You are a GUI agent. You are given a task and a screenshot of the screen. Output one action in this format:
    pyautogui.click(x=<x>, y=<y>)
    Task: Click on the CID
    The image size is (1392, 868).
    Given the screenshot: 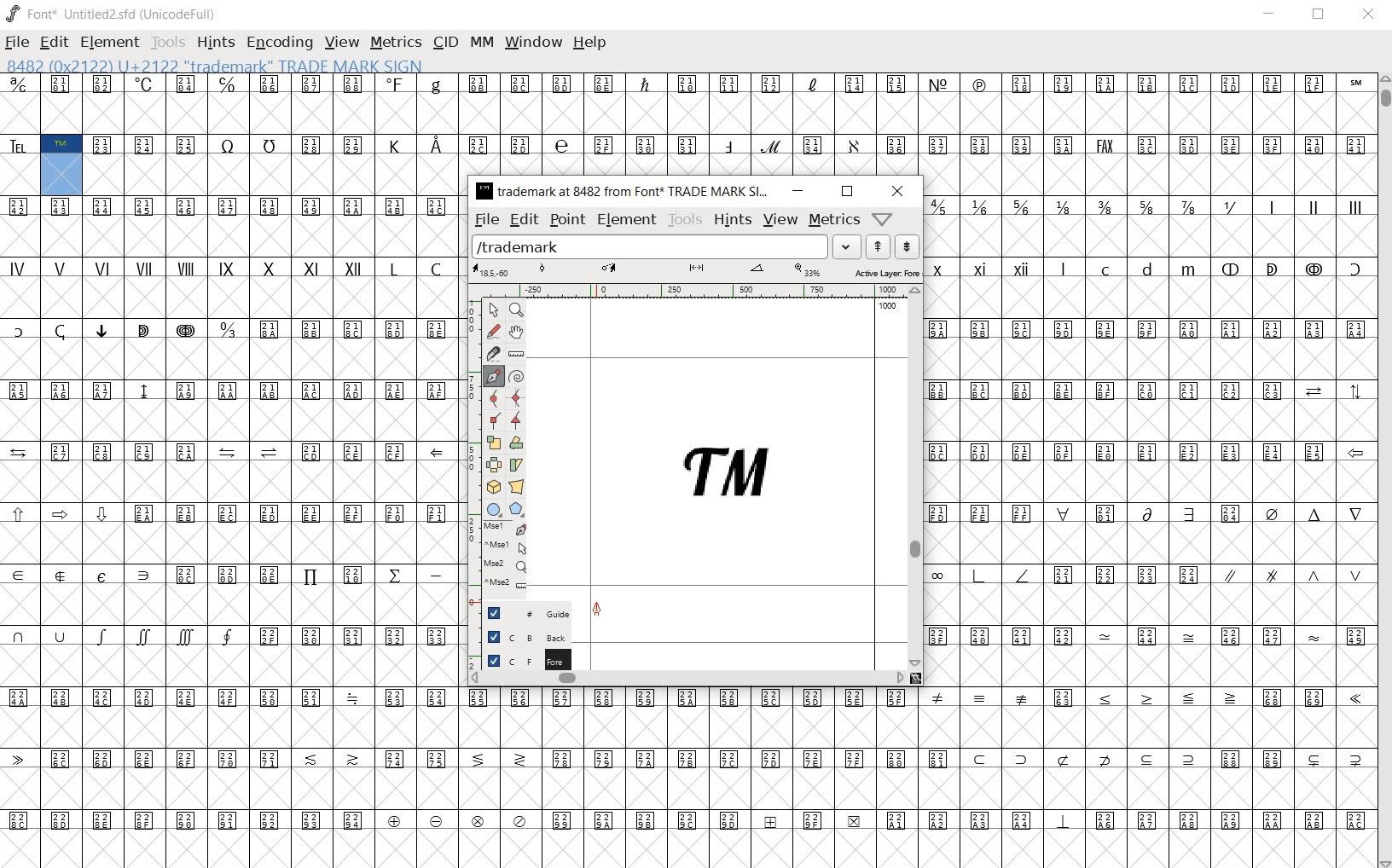 What is the action you would take?
    pyautogui.click(x=445, y=45)
    